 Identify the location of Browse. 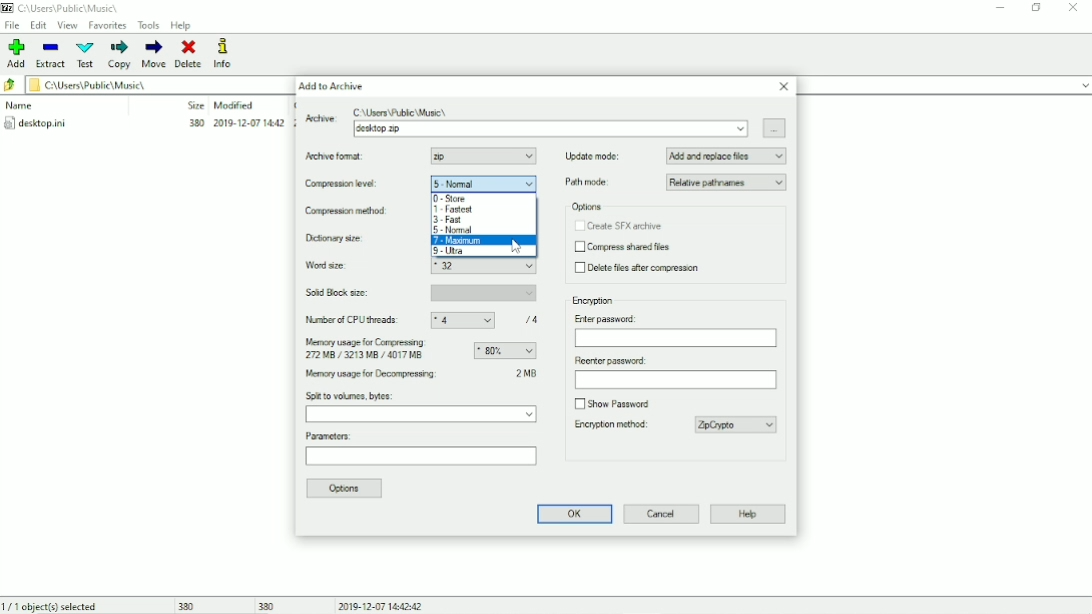
(776, 128).